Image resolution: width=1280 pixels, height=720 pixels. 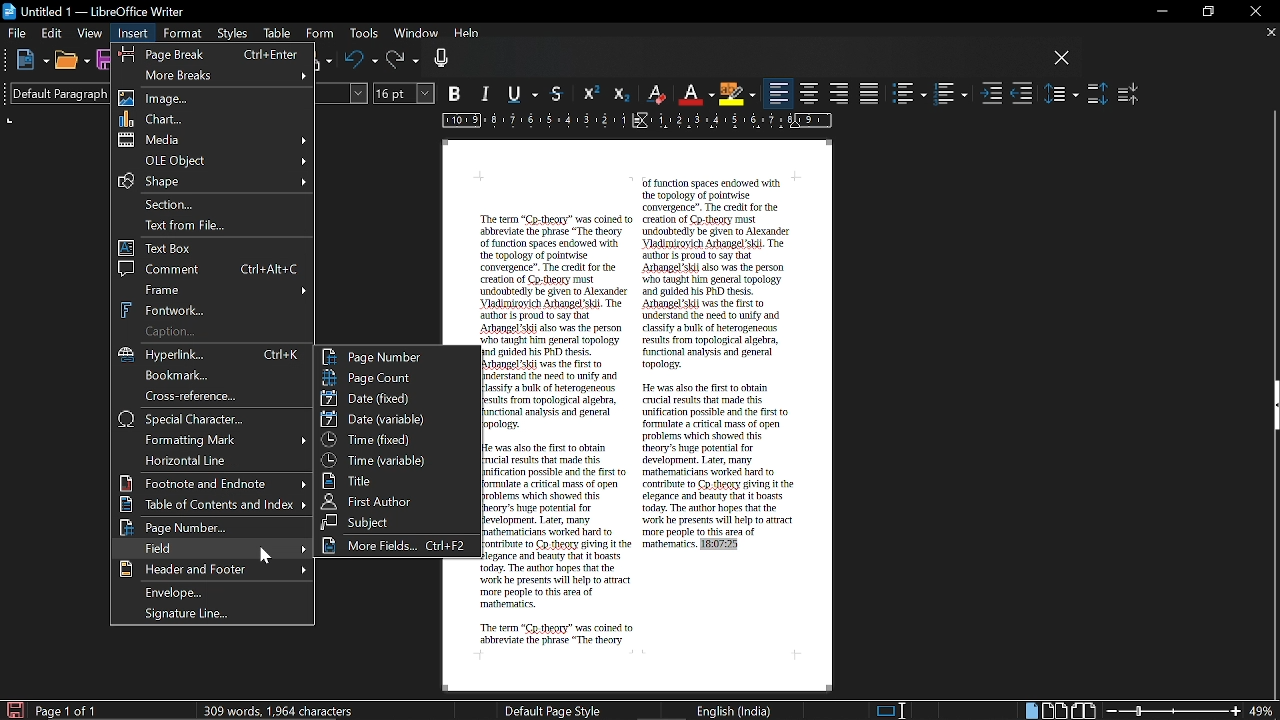 What do you see at coordinates (209, 548) in the screenshot?
I see `Find` at bounding box center [209, 548].